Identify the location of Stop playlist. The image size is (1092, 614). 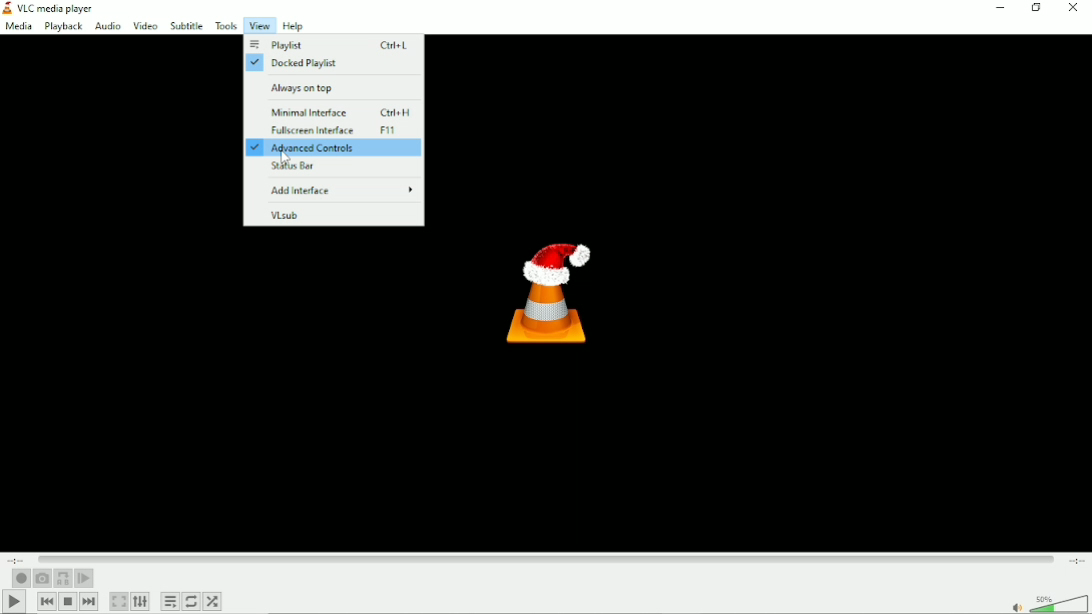
(68, 602).